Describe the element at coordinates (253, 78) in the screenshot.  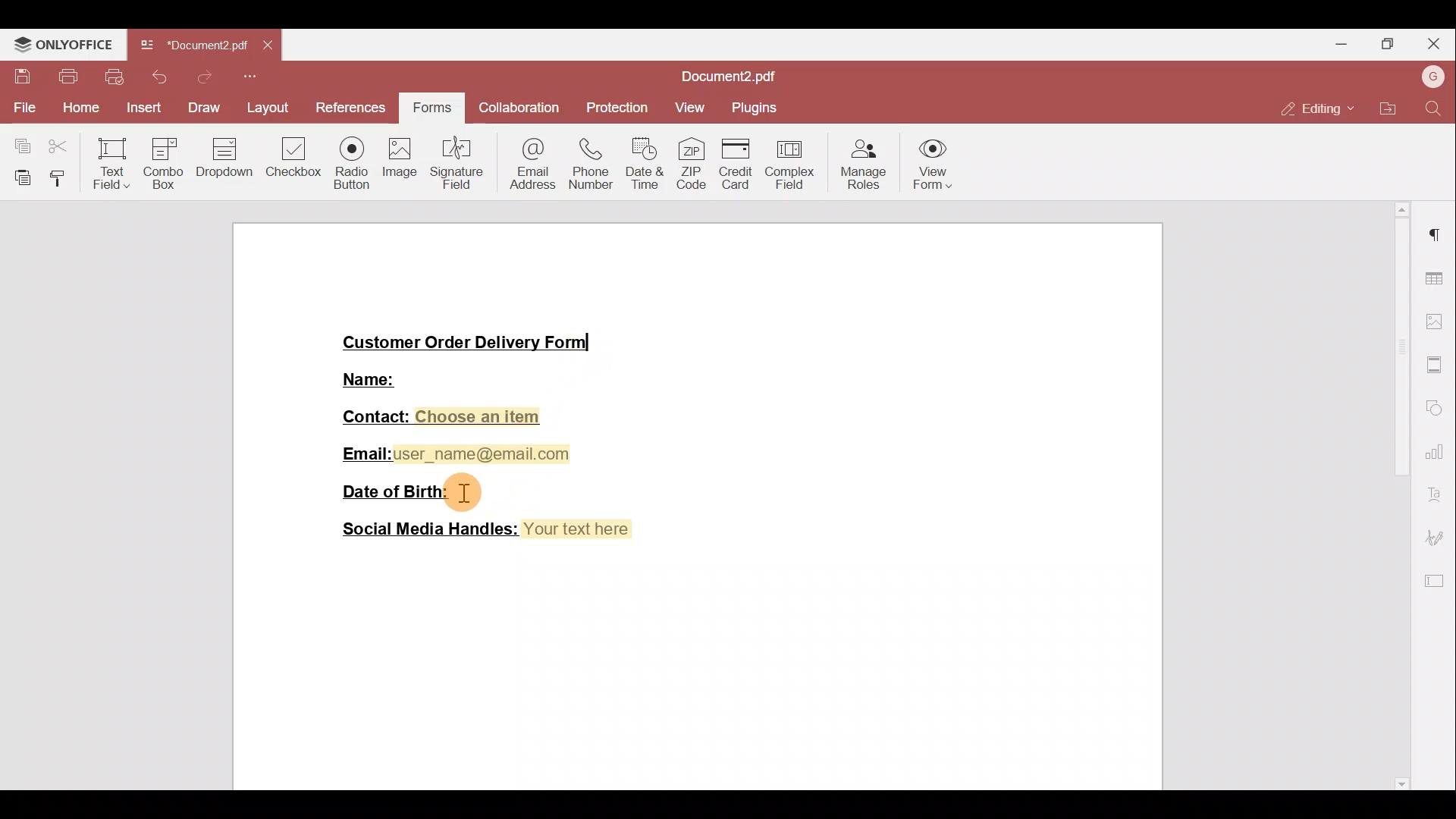
I see `More` at that location.